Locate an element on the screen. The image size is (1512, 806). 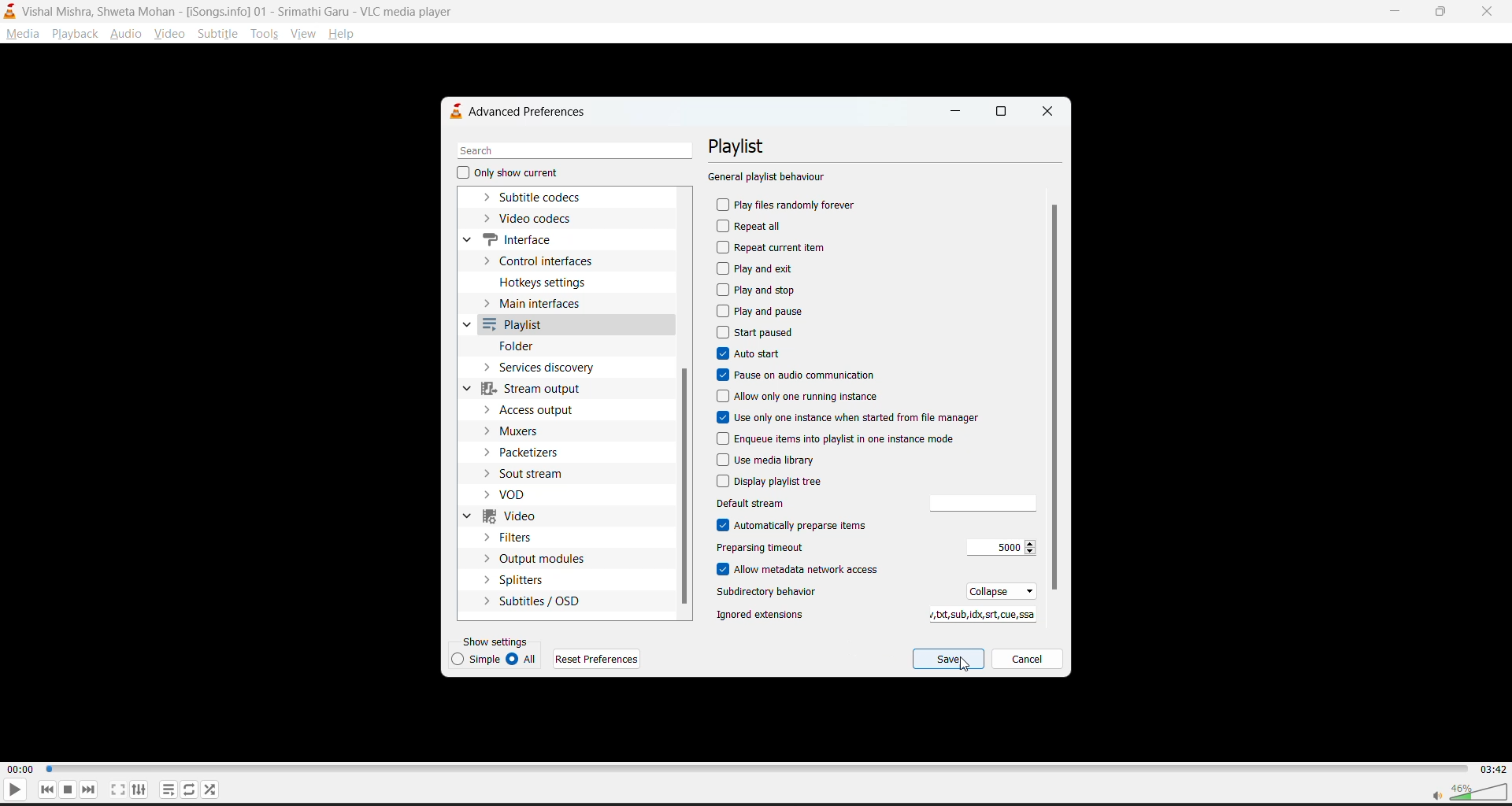
fullscreen is located at coordinates (116, 789).